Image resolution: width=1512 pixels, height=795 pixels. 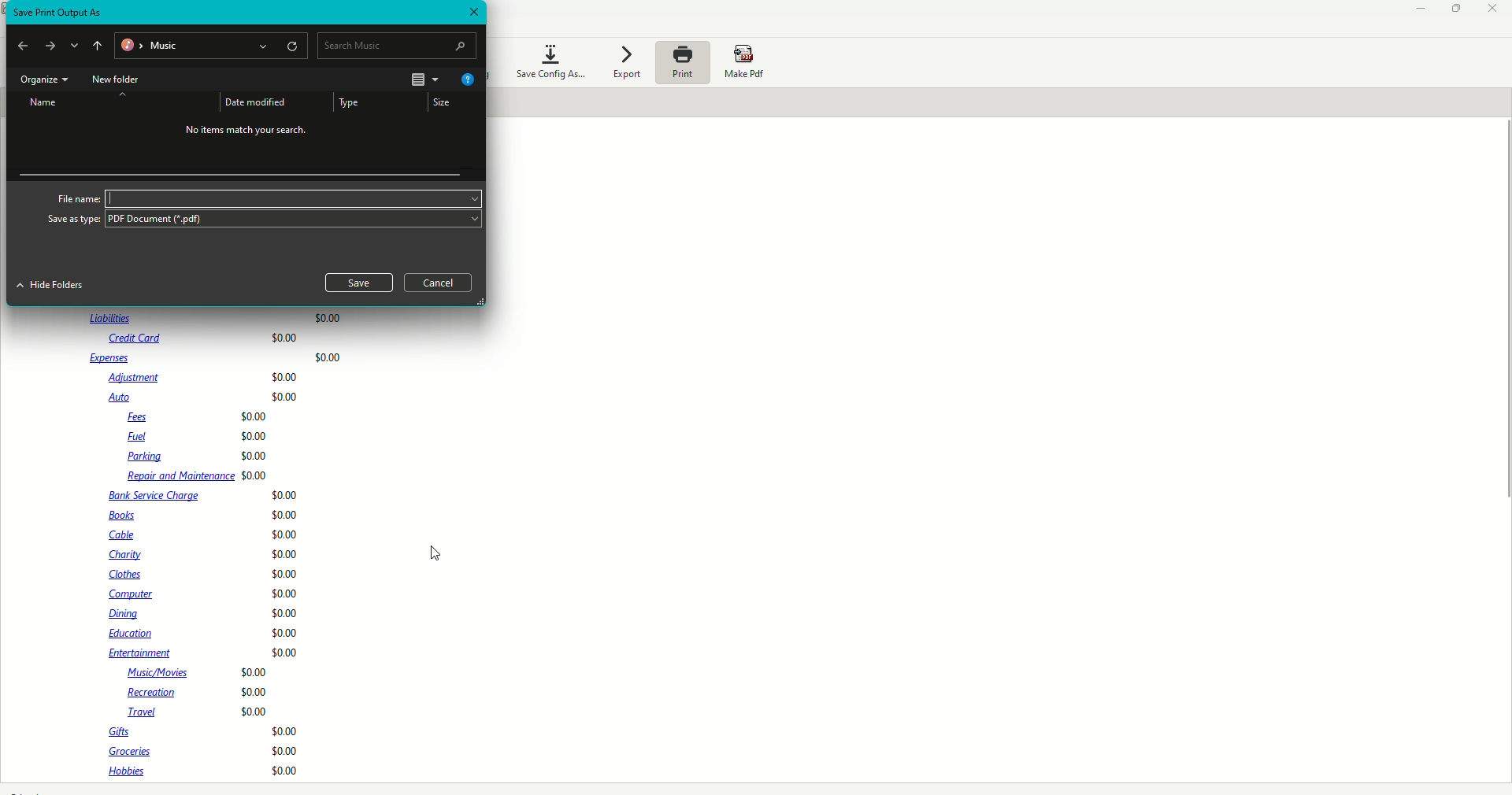 I want to click on Minimize, so click(x=1417, y=10).